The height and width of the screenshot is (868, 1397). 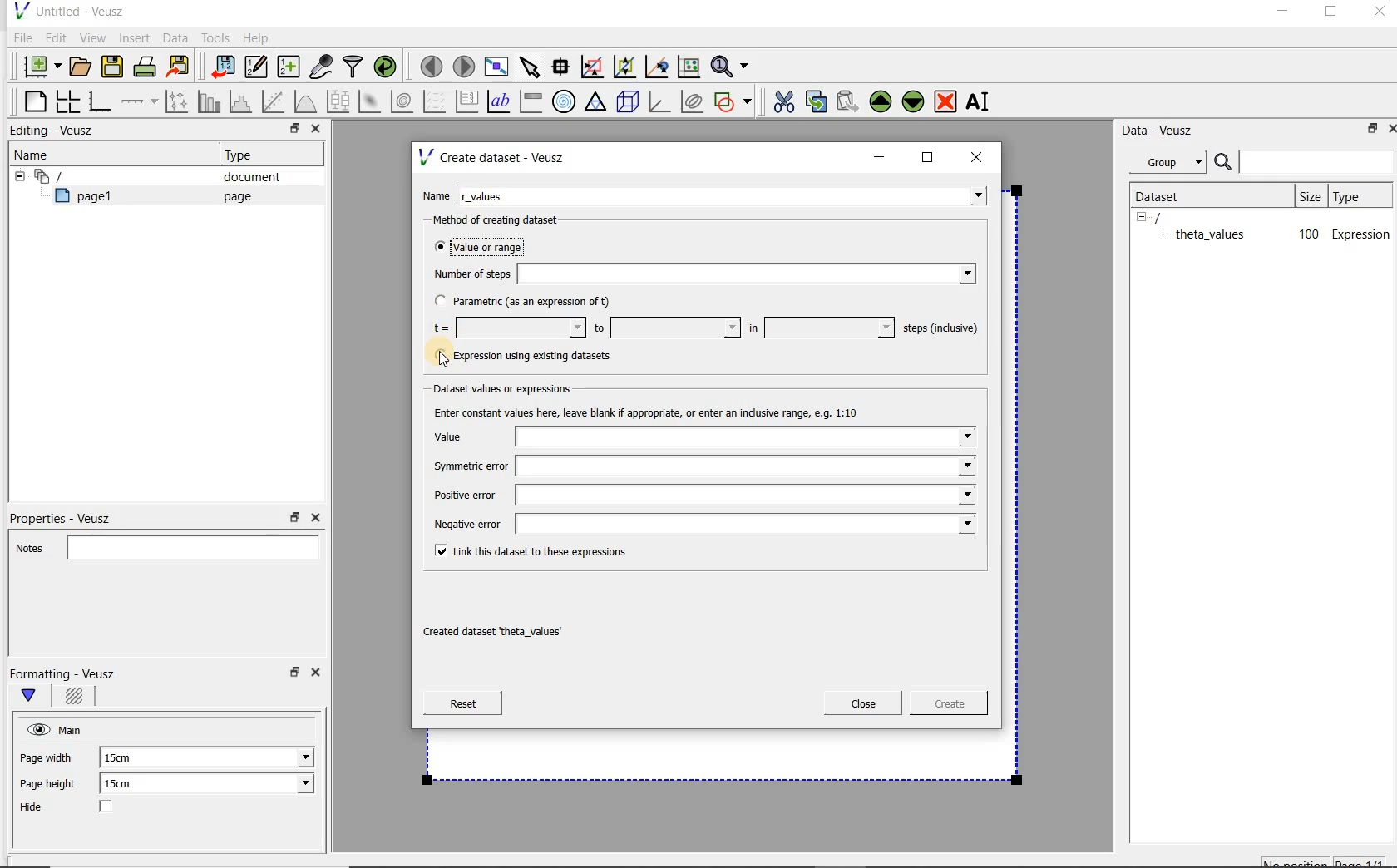 I want to click on restore down, so click(x=1368, y=131).